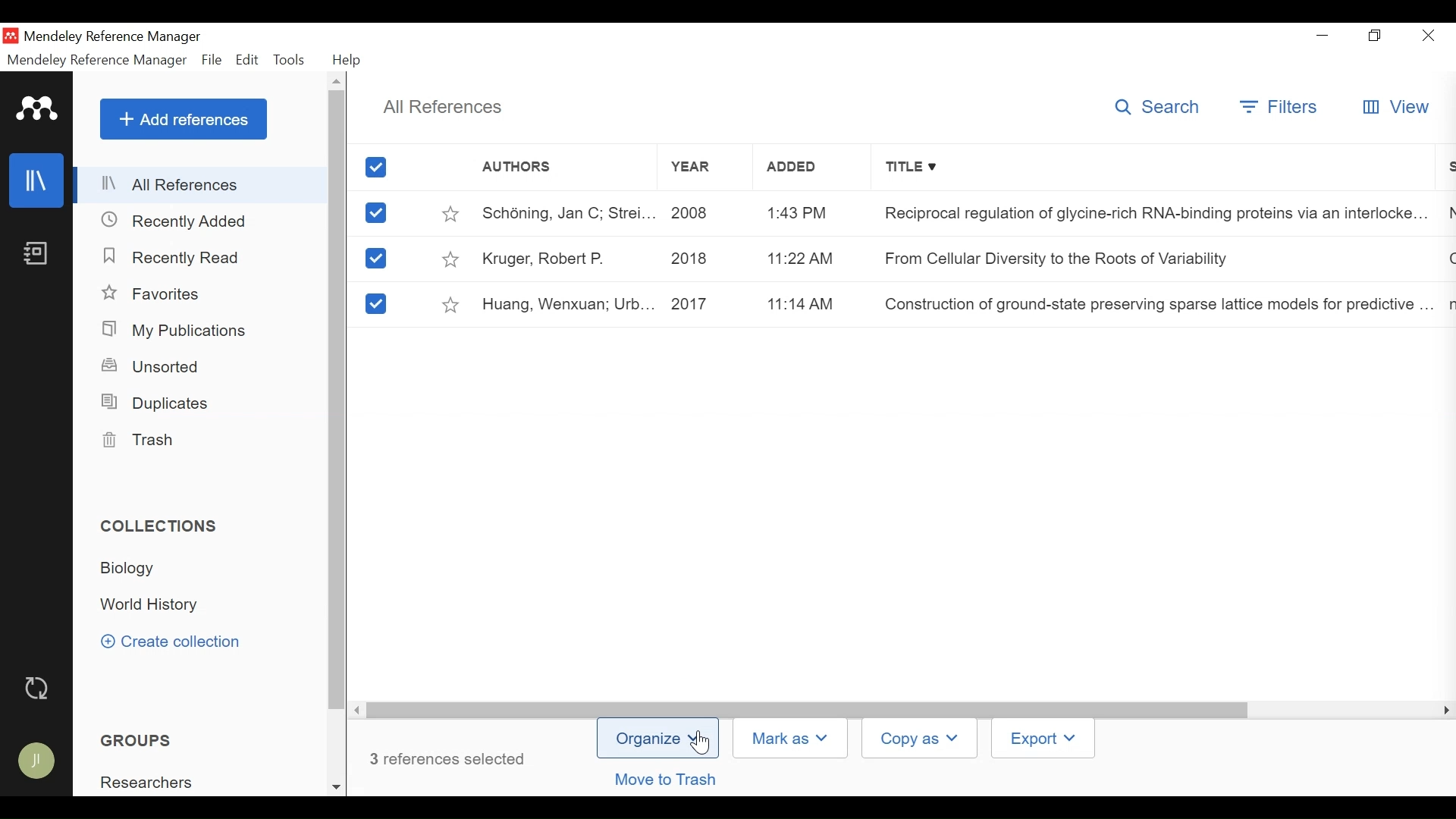 The width and height of the screenshot is (1456, 819). What do you see at coordinates (453, 259) in the screenshot?
I see `Toggle Favorites` at bounding box center [453, 259].